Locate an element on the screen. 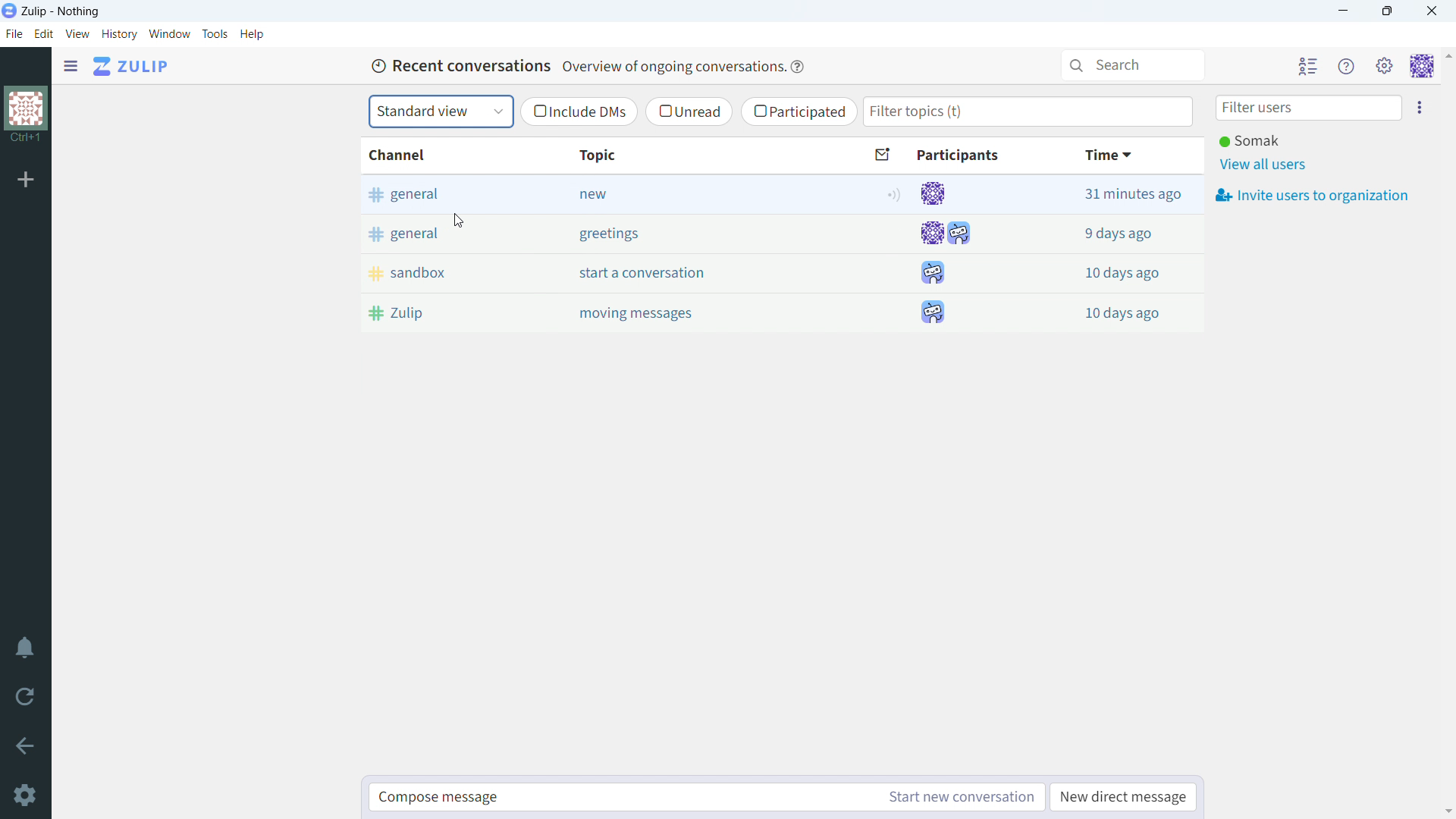 This screenshot has width=1456, height=819. view all users is located at coordinates (1265, 165).